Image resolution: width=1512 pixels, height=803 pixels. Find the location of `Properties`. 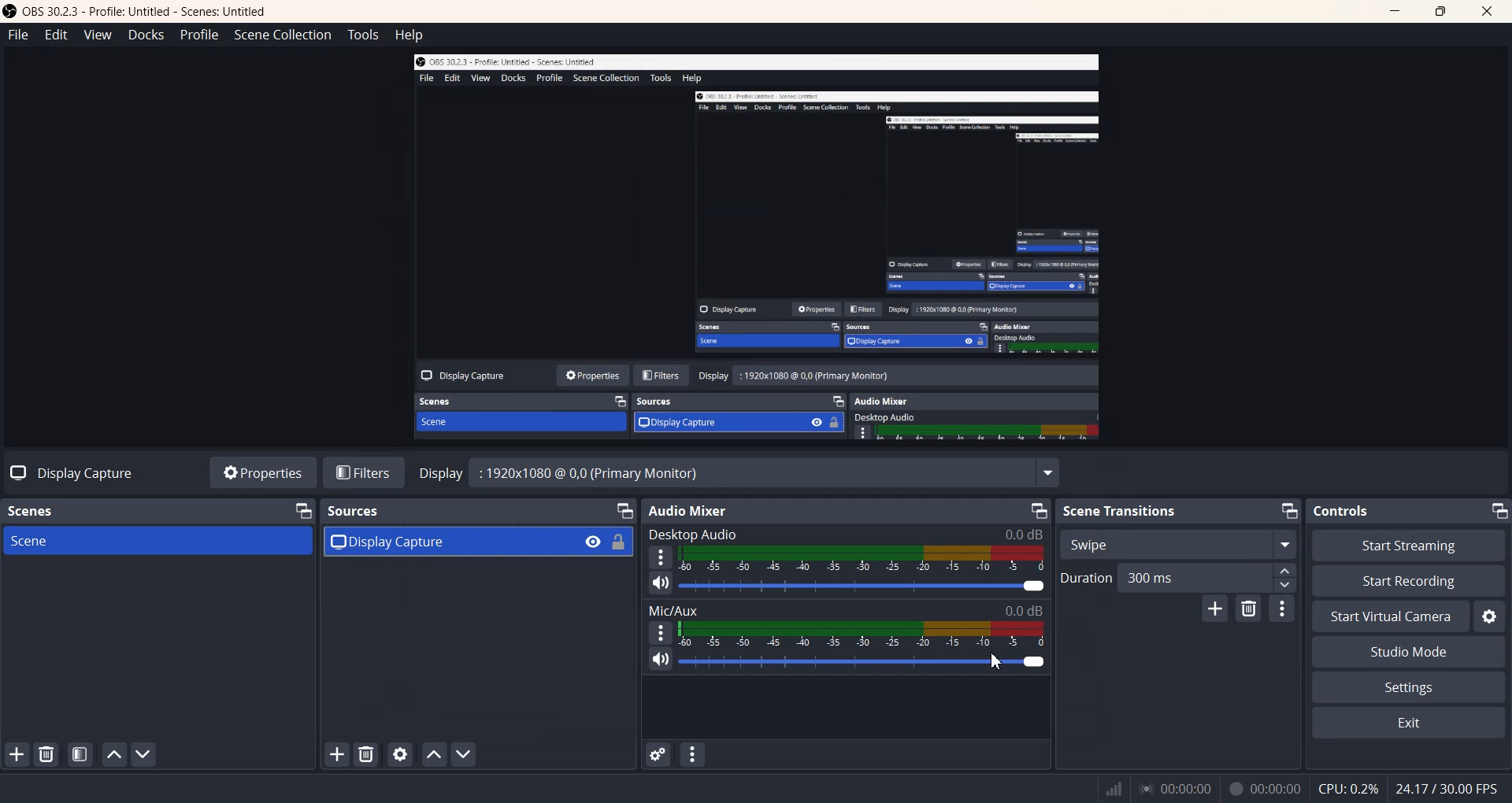

Properties is located at coordinates (262, 472).